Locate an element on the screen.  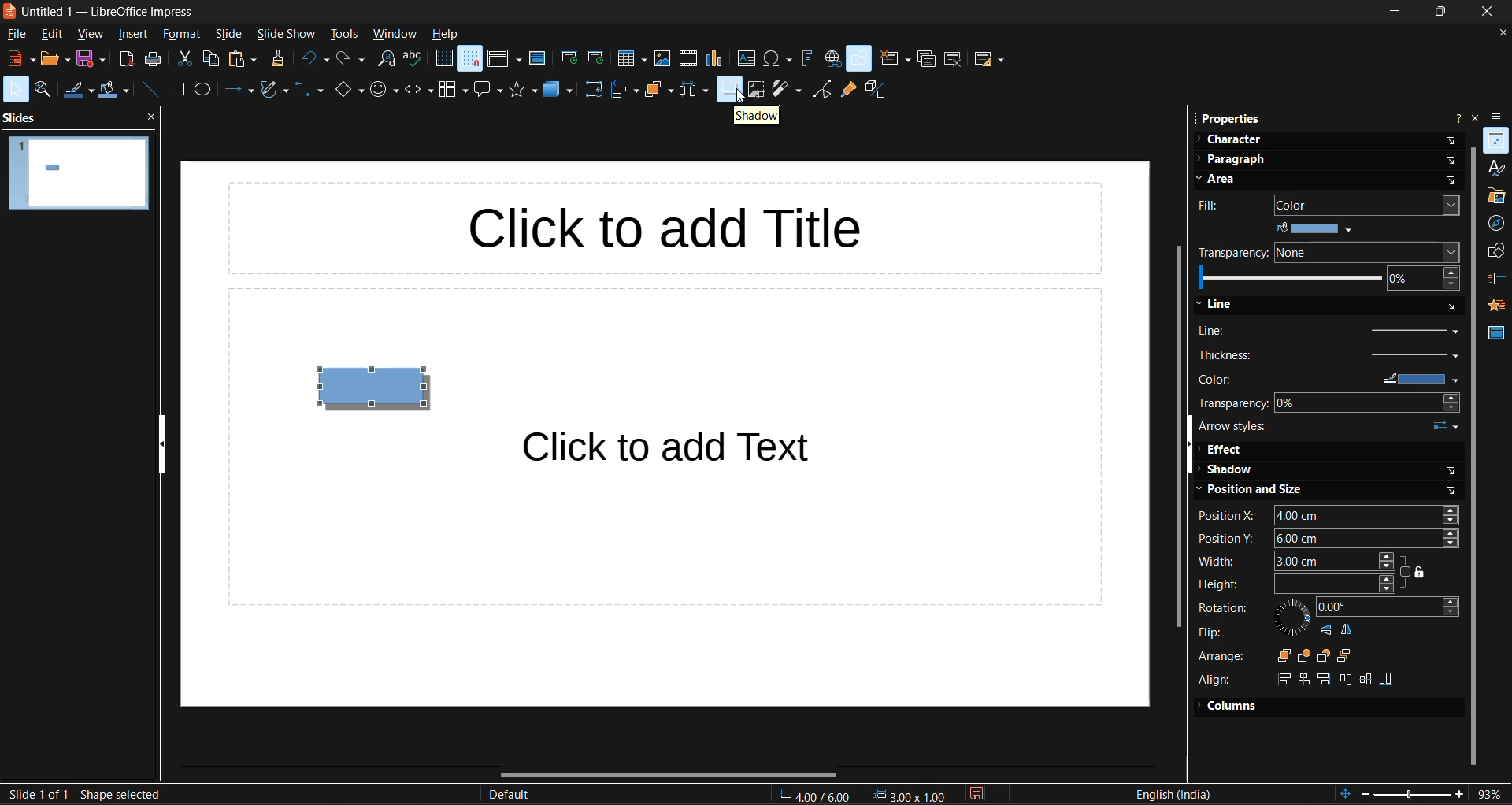
rotation is located at coordinates (1219, 608).